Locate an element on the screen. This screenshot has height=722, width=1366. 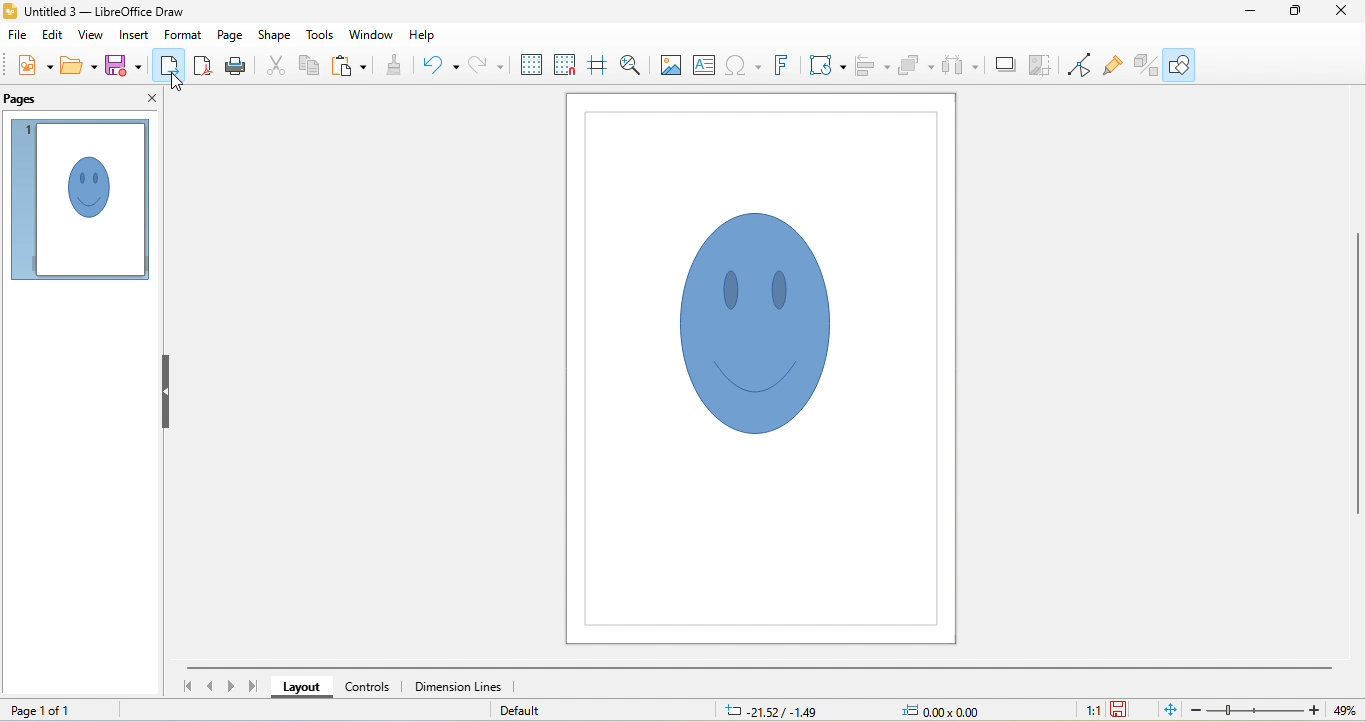
first slide is located at coordinates (191, 686).